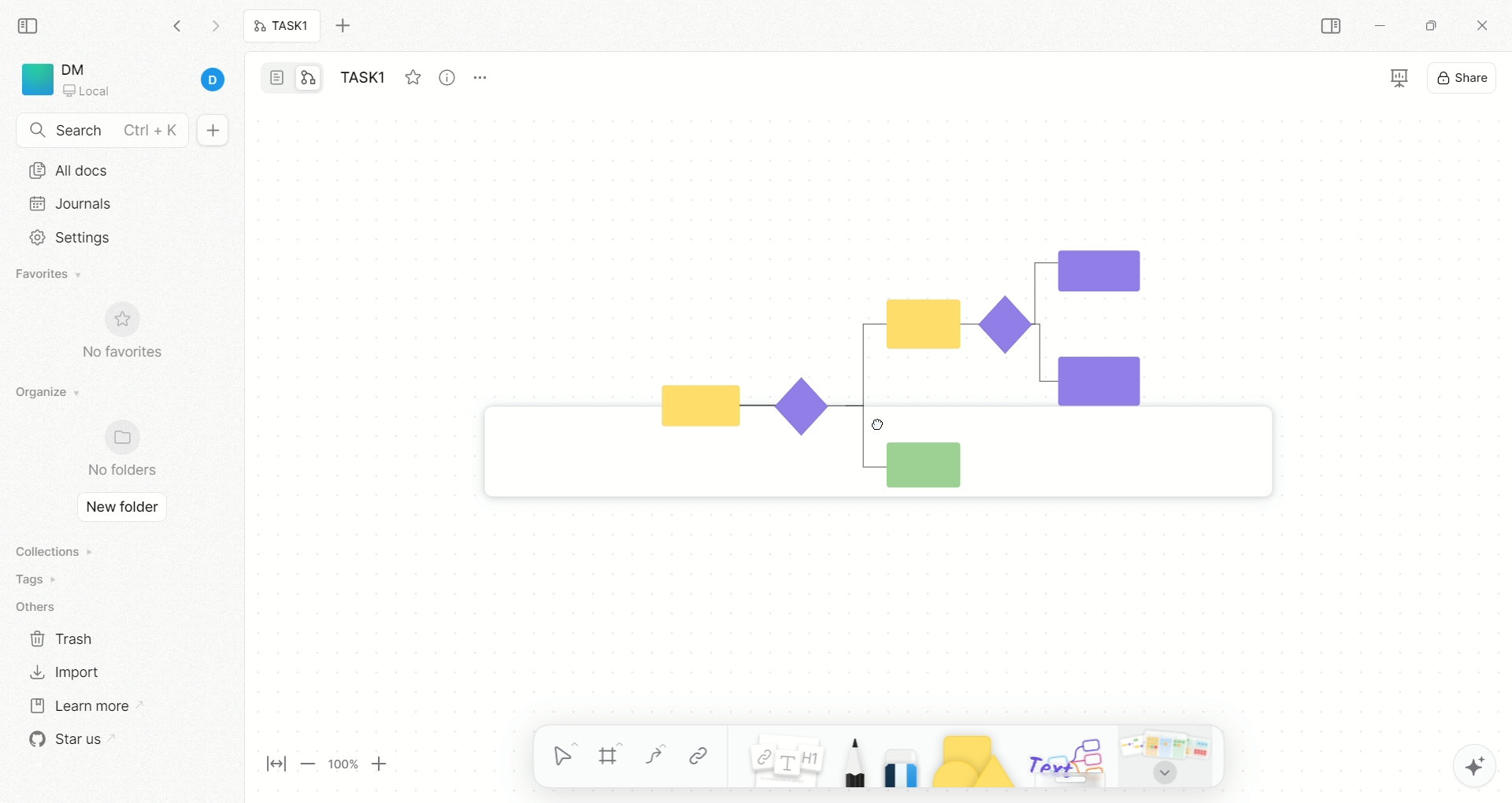 Image resolution: width=1512 pixels, height=803 pixels. Describe the element at coordinates (102, 131) in the screenshot. I see `search` at that location.